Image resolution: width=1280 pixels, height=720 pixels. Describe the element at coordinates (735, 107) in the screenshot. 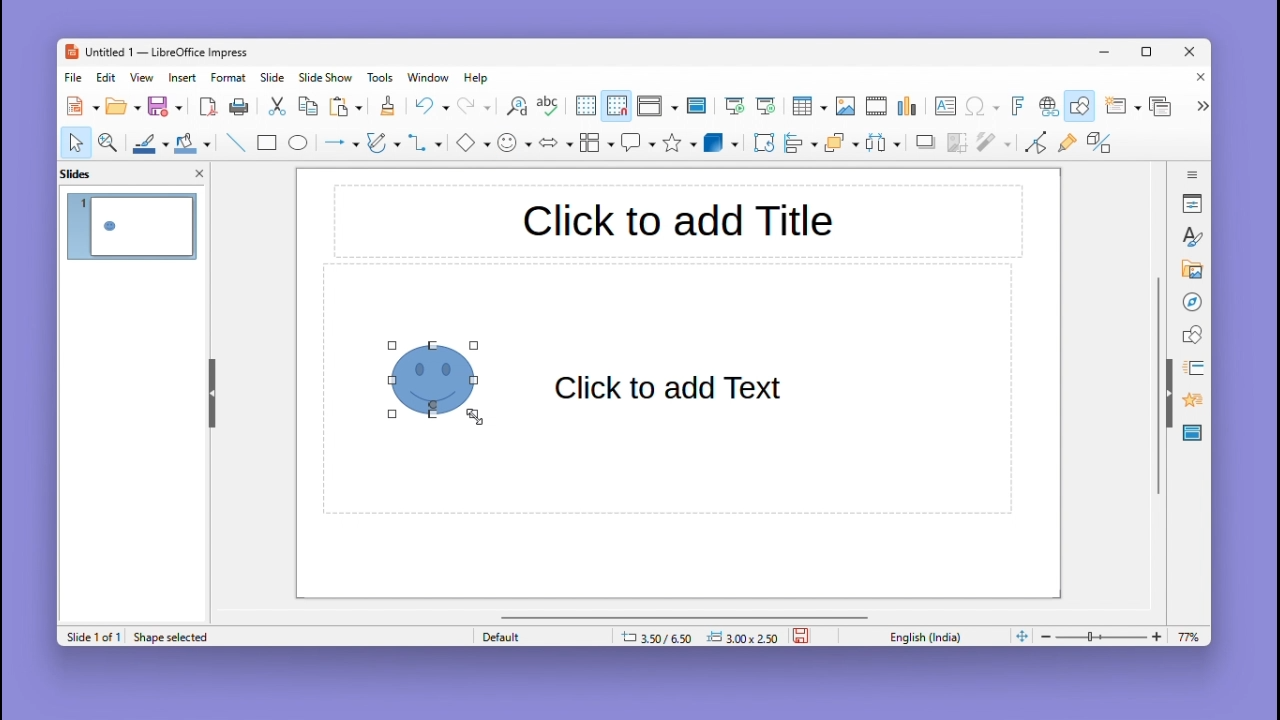

I see `First slide` at that location.